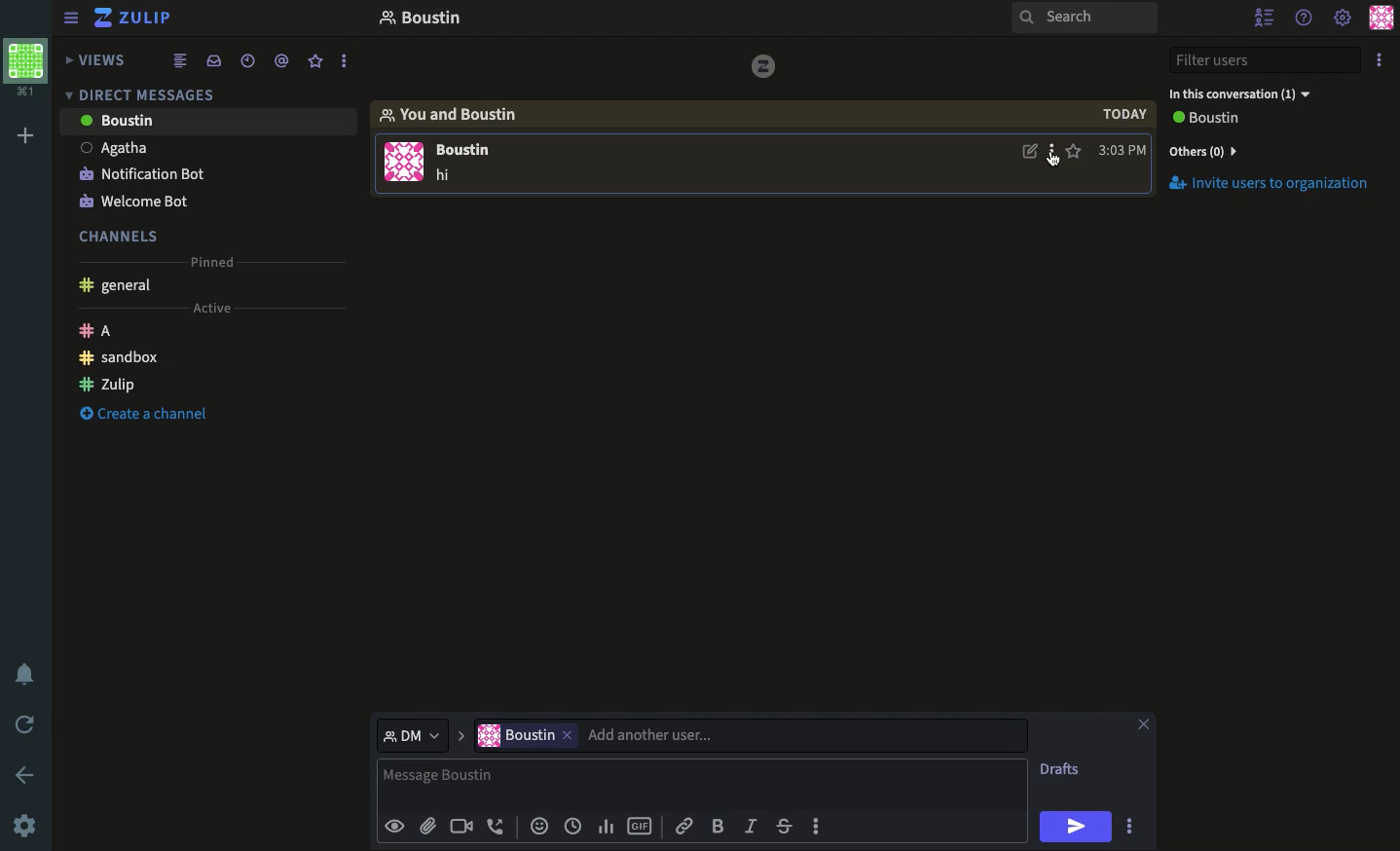 The image size is (1400, 851). Describe the element at coordinates (604, 825) in the screenshot. I see `Chart` at that location.